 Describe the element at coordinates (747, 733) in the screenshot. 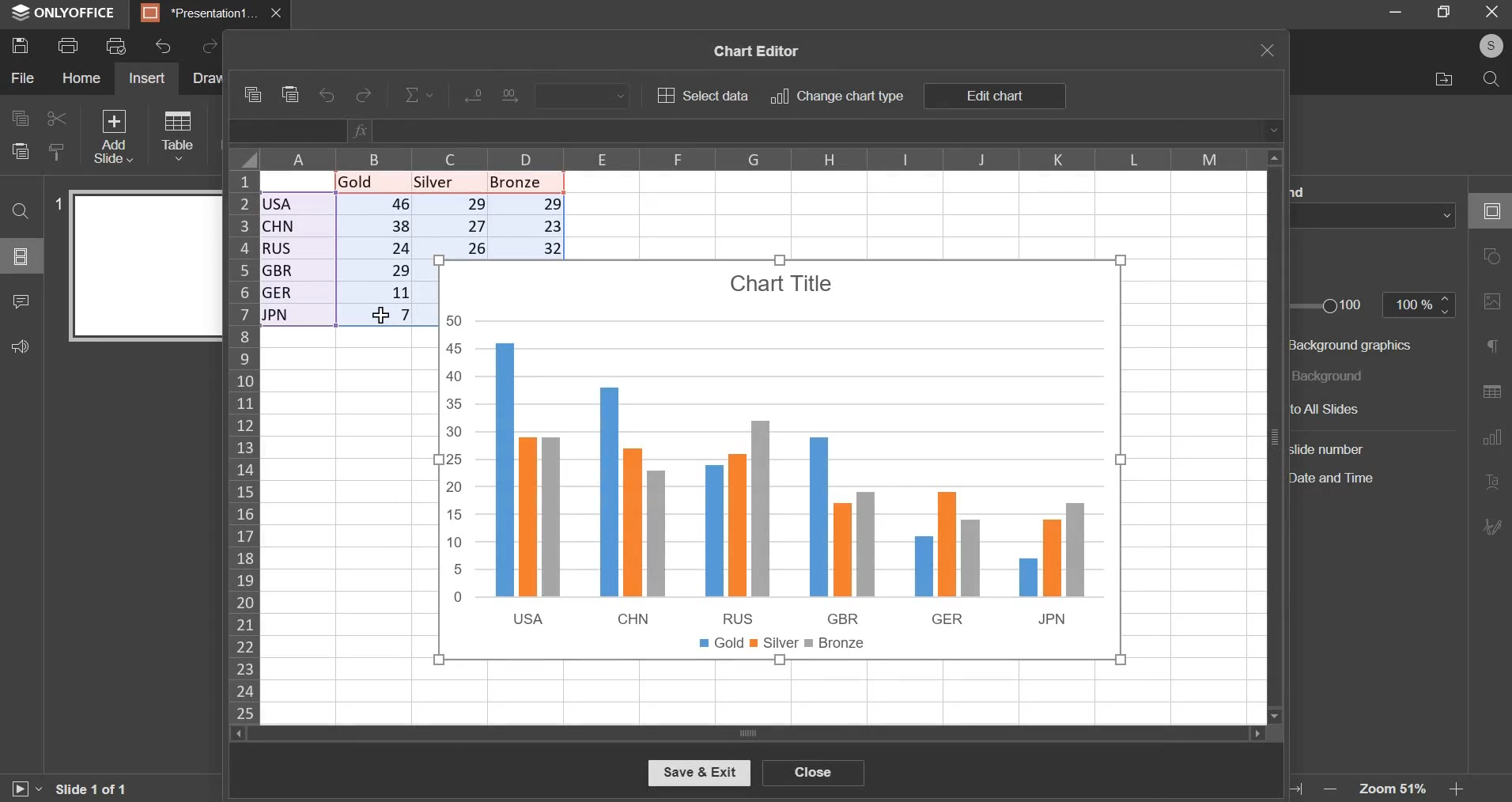

I see `horizontal slider` at that location.